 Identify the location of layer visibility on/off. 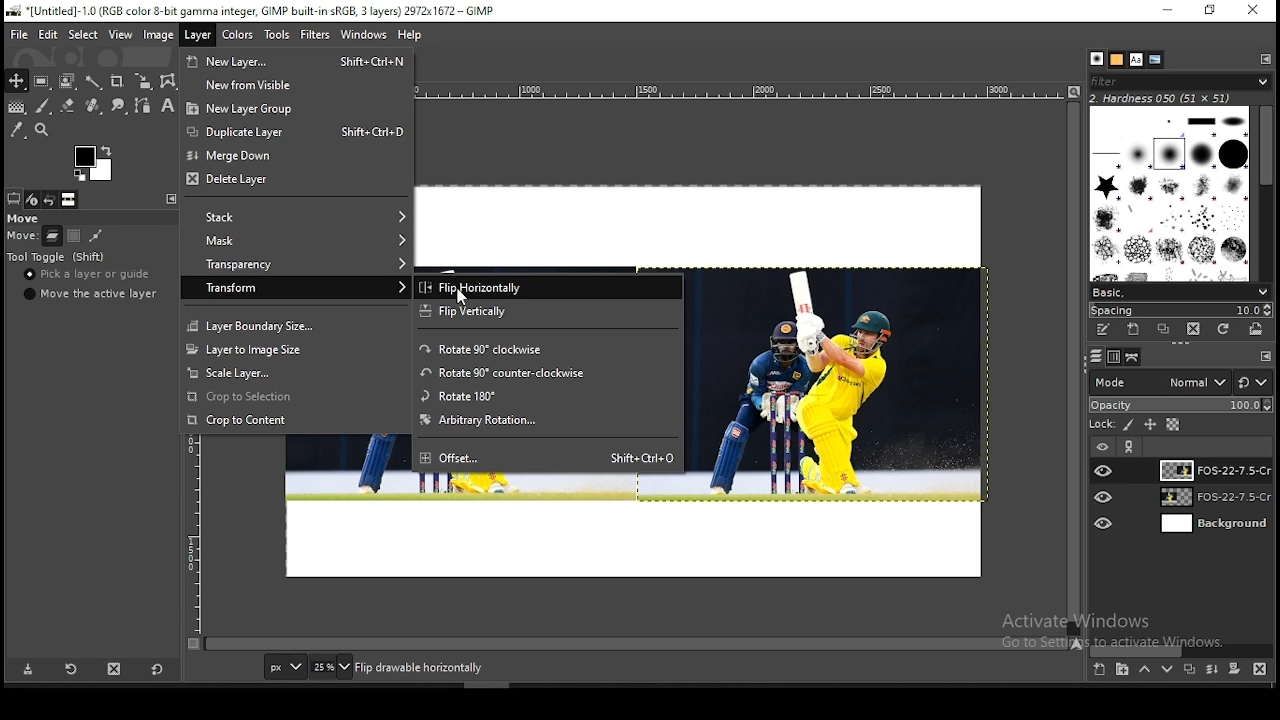
(1104, 470).